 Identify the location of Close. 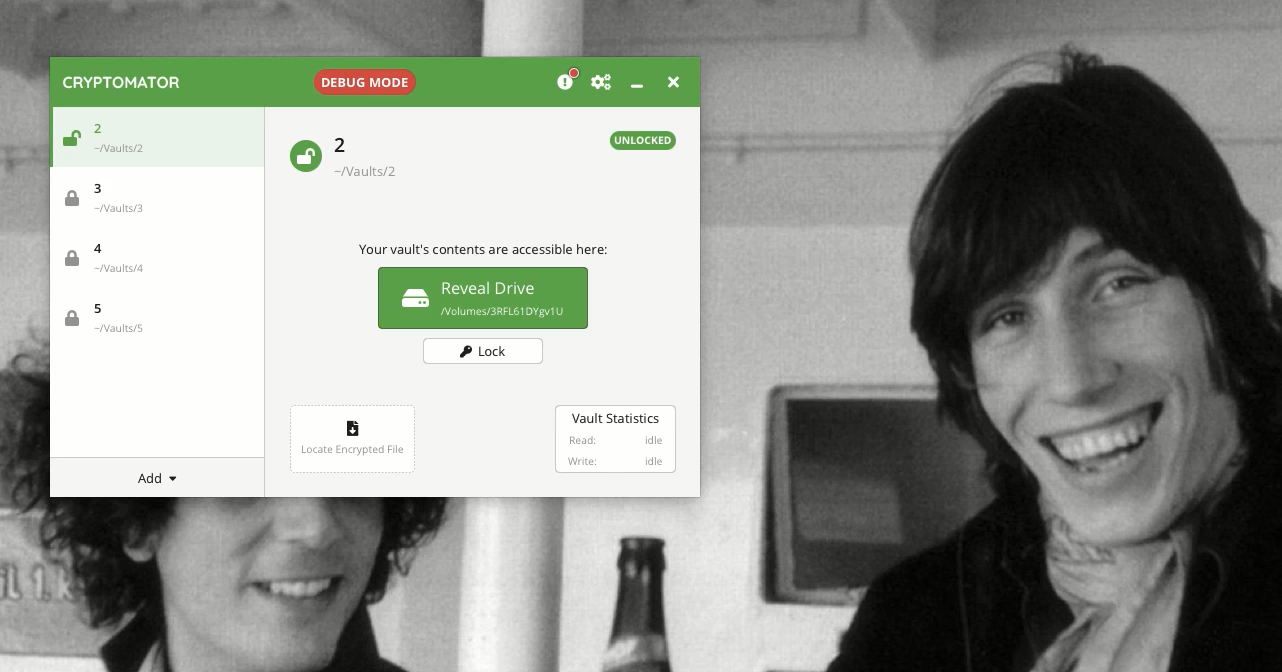
(671, 80).